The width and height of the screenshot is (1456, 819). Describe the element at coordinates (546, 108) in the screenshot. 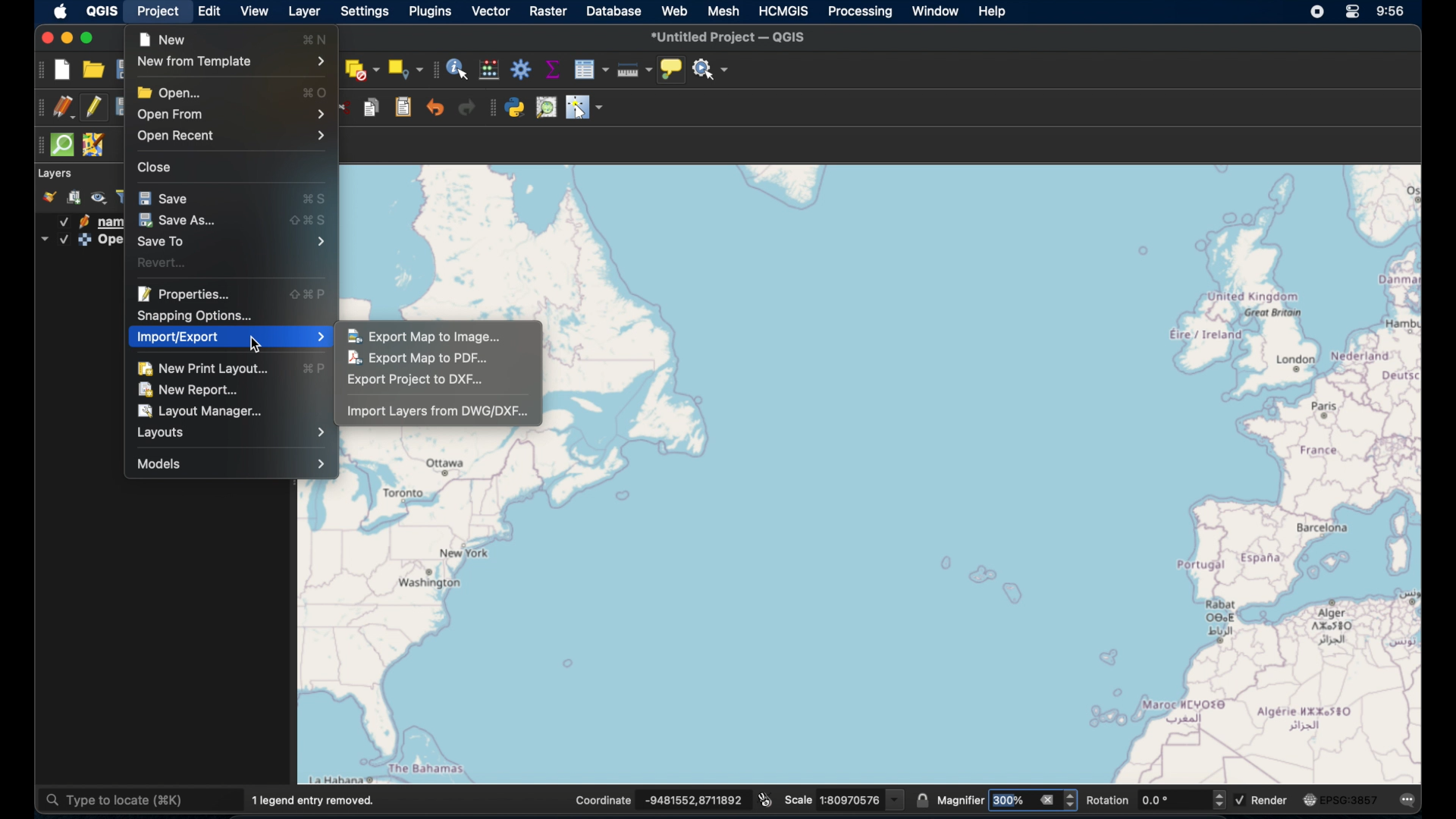

I see `osm place search` at that location.